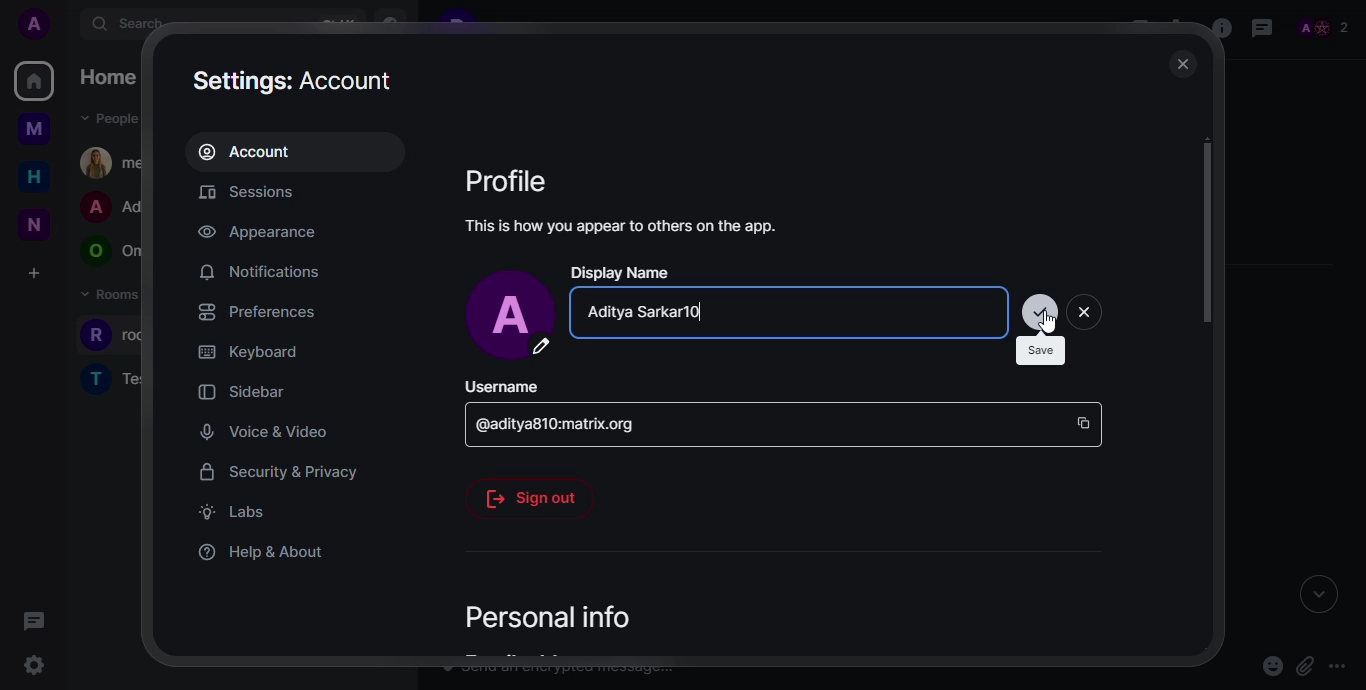  Describe the element at coordinates (233, 512) in the screenshot. I see `labs` at that location.